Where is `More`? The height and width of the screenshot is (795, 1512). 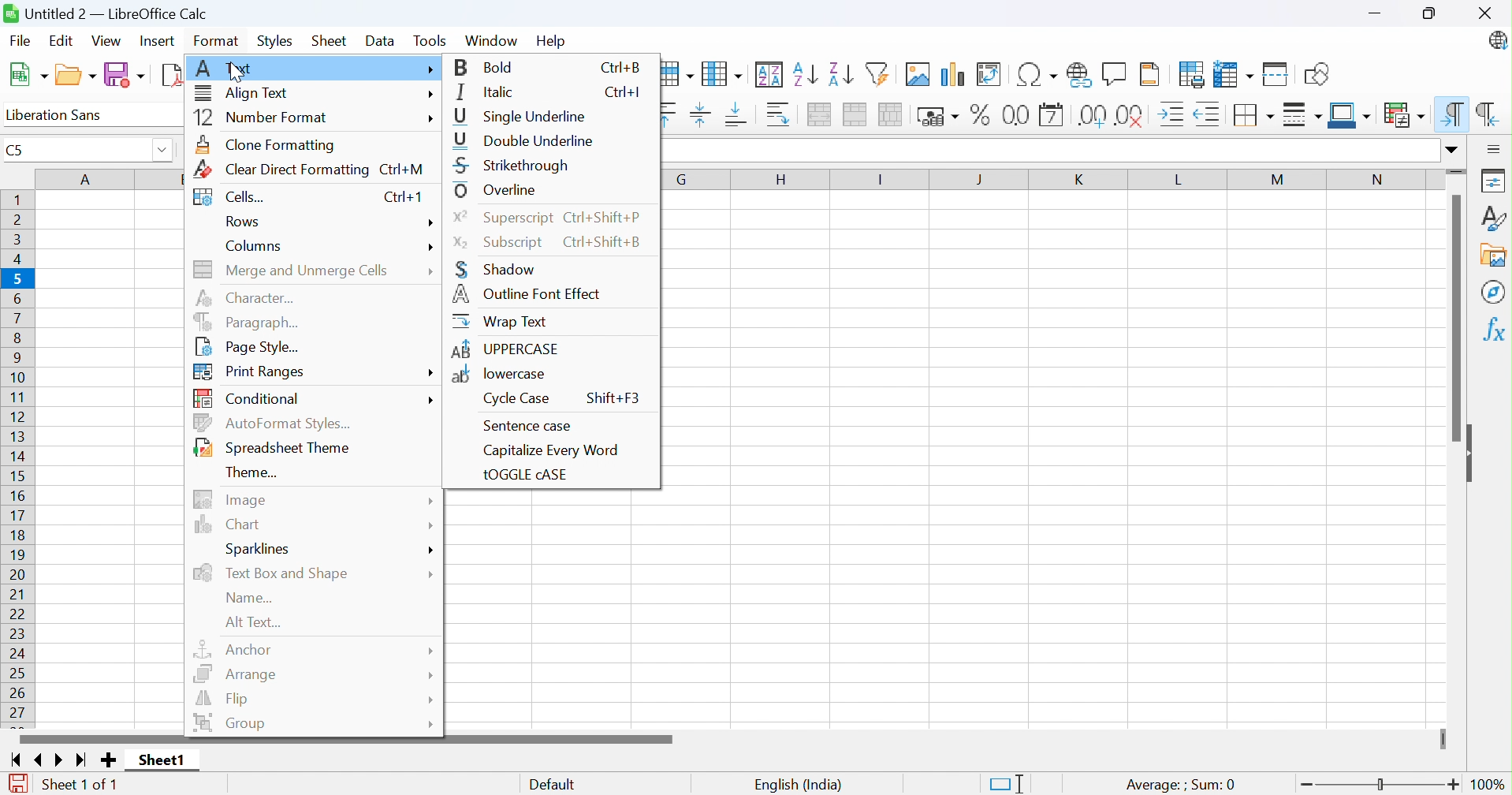
More is located at coordinates (426, 118).